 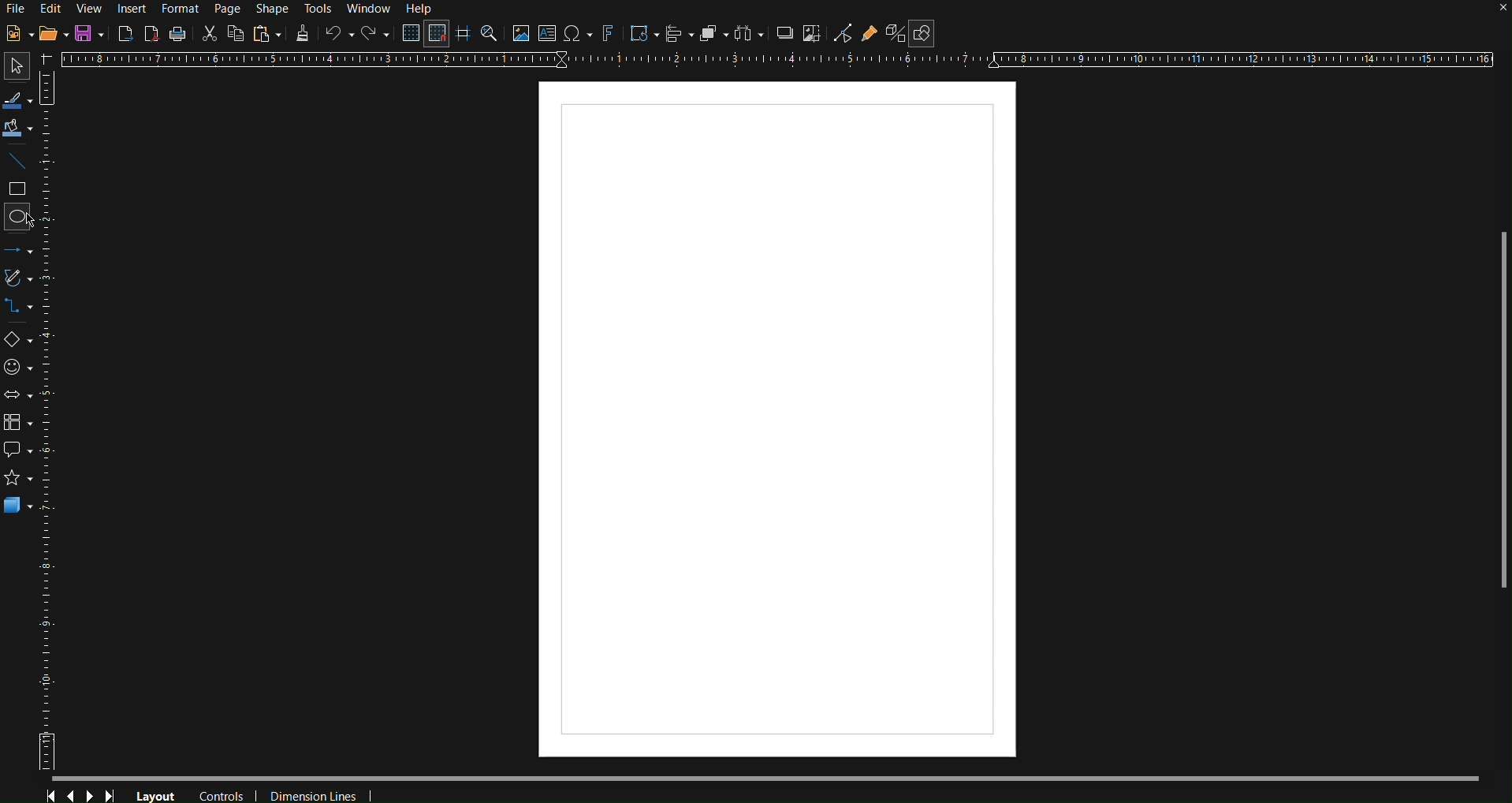 What do you see at coordinates (319, 9) in the screenshot?
I see `Tools` at bounding box center [319, 9].